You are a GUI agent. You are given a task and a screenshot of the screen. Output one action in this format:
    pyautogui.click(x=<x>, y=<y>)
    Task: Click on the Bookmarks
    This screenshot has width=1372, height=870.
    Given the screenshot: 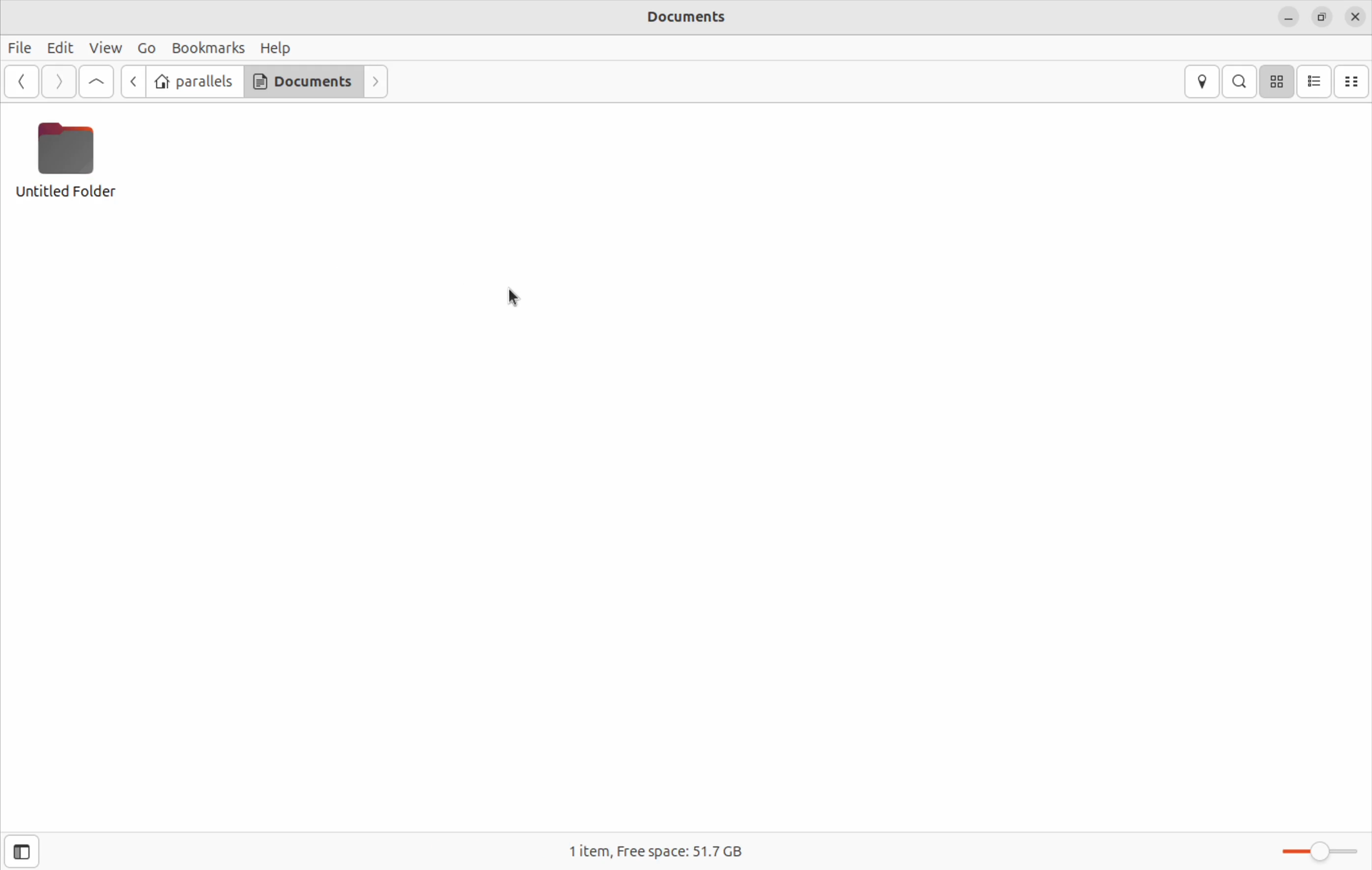 What is the action you would take?
    pyautogui.click(x=208, y=48)
    